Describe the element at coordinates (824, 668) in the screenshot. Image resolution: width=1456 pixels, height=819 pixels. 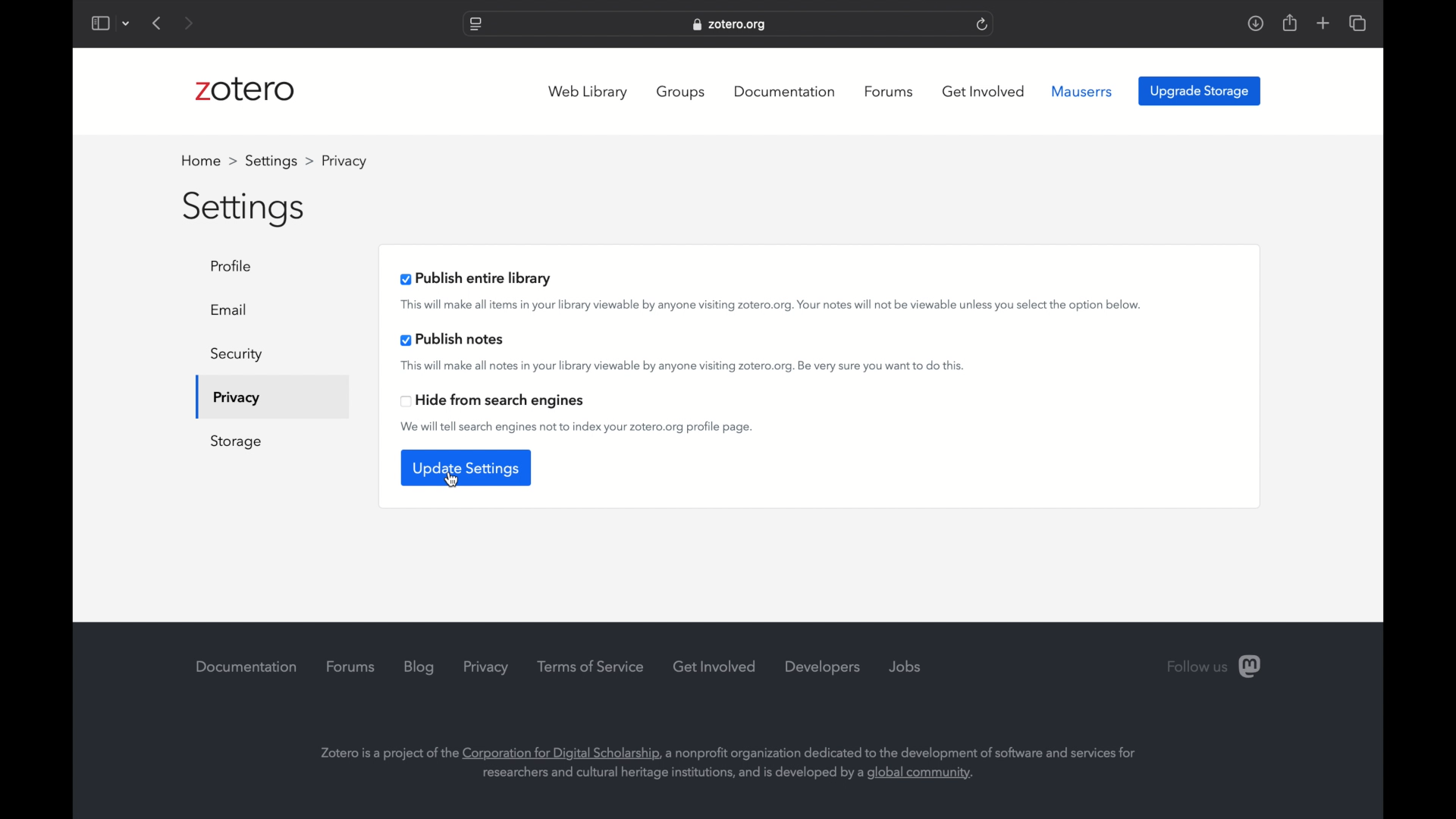
I see `developers` at that location.